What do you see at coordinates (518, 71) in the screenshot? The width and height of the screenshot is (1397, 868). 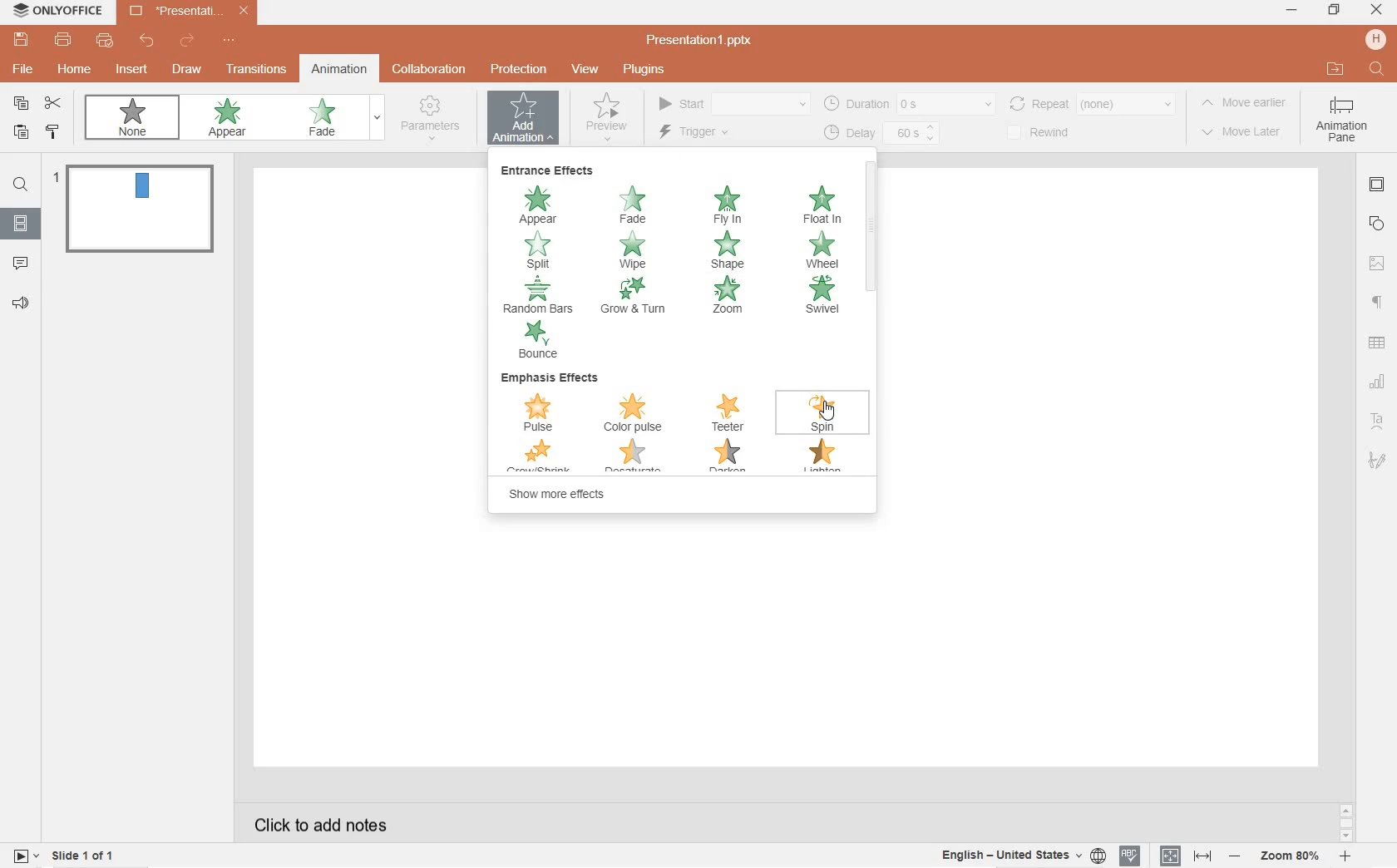 I see `protection` at bounding box center [518, 71].